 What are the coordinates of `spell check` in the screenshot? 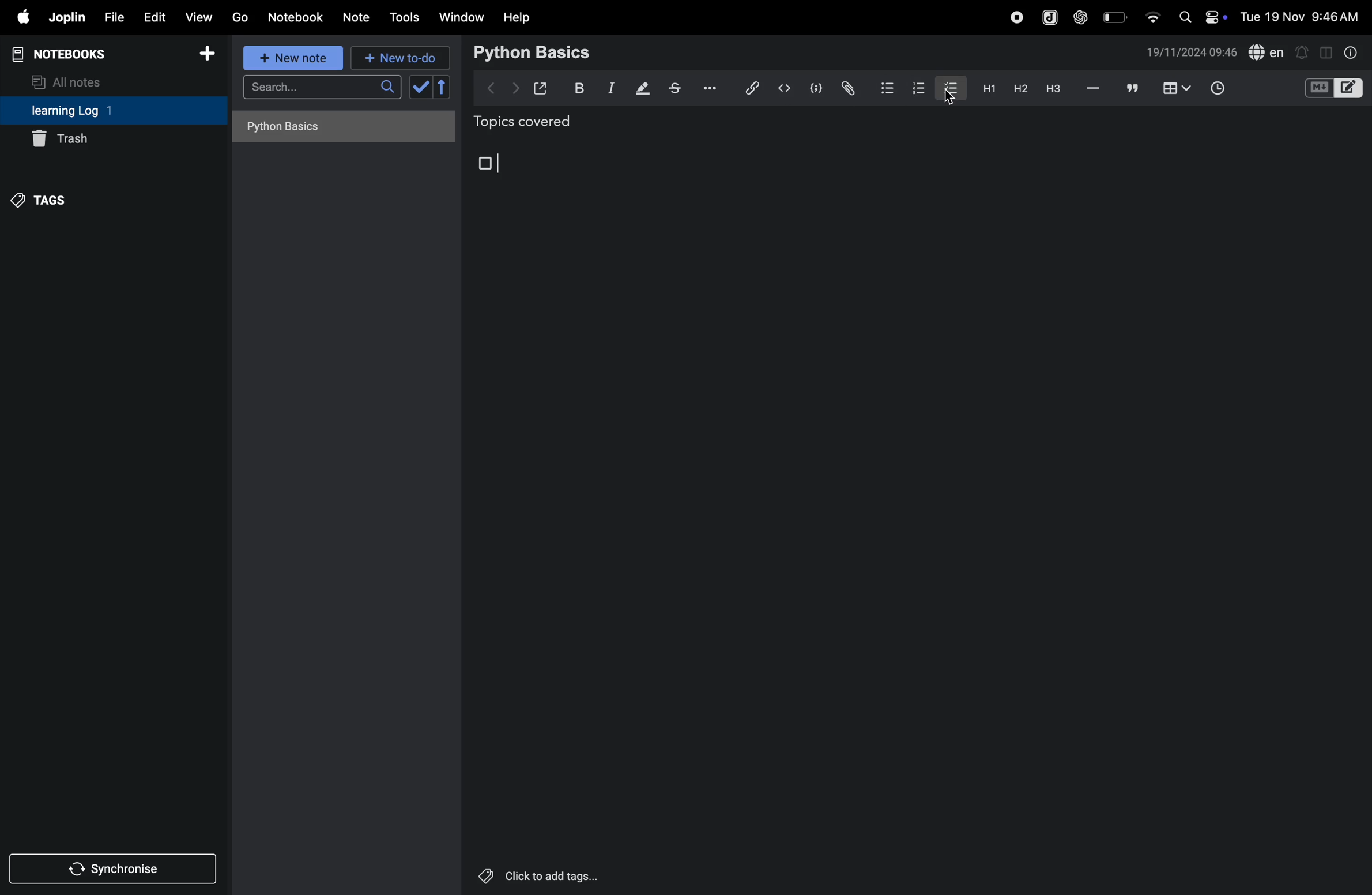 It's located at (1267, 53).